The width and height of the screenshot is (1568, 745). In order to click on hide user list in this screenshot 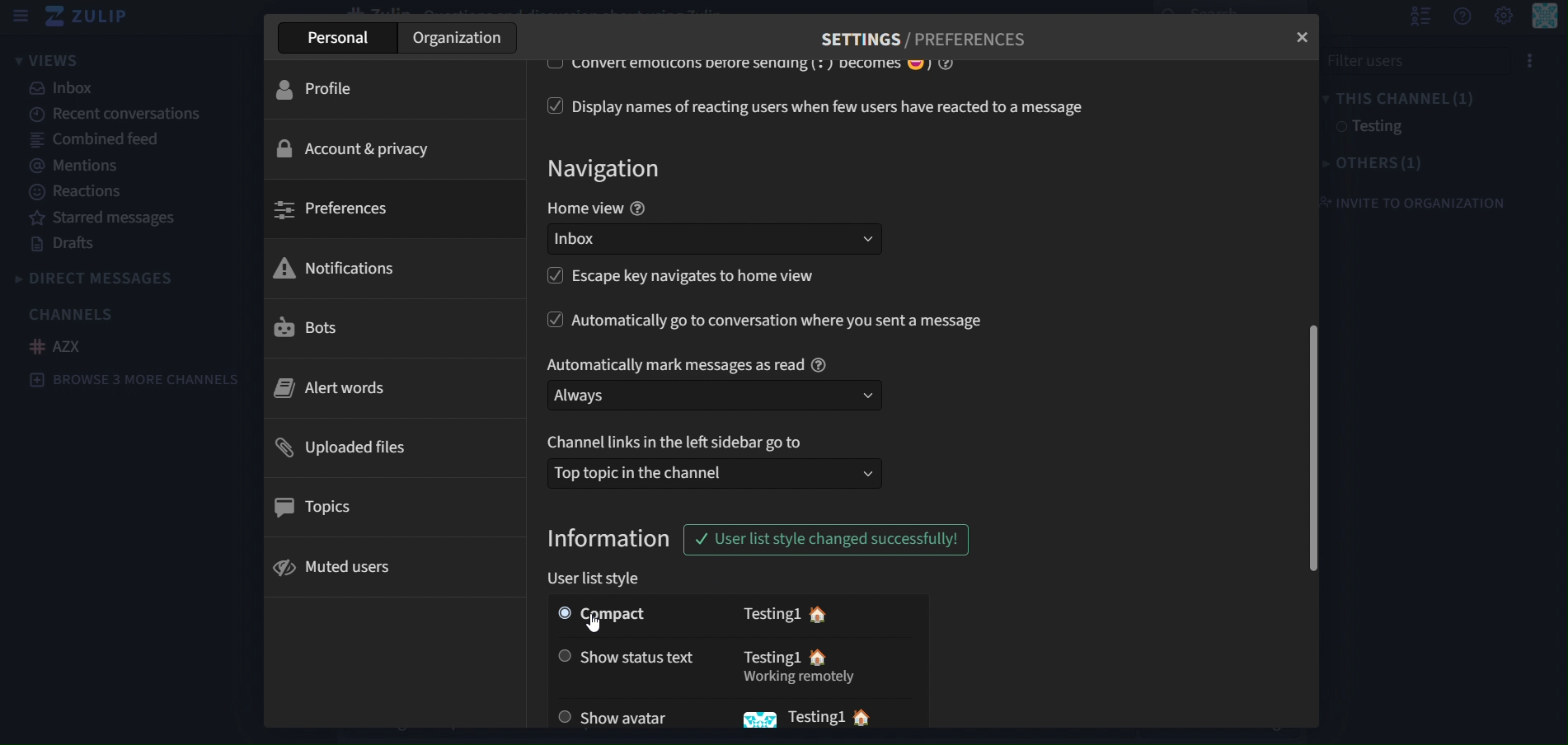, I will do `click(1415, 17)`.